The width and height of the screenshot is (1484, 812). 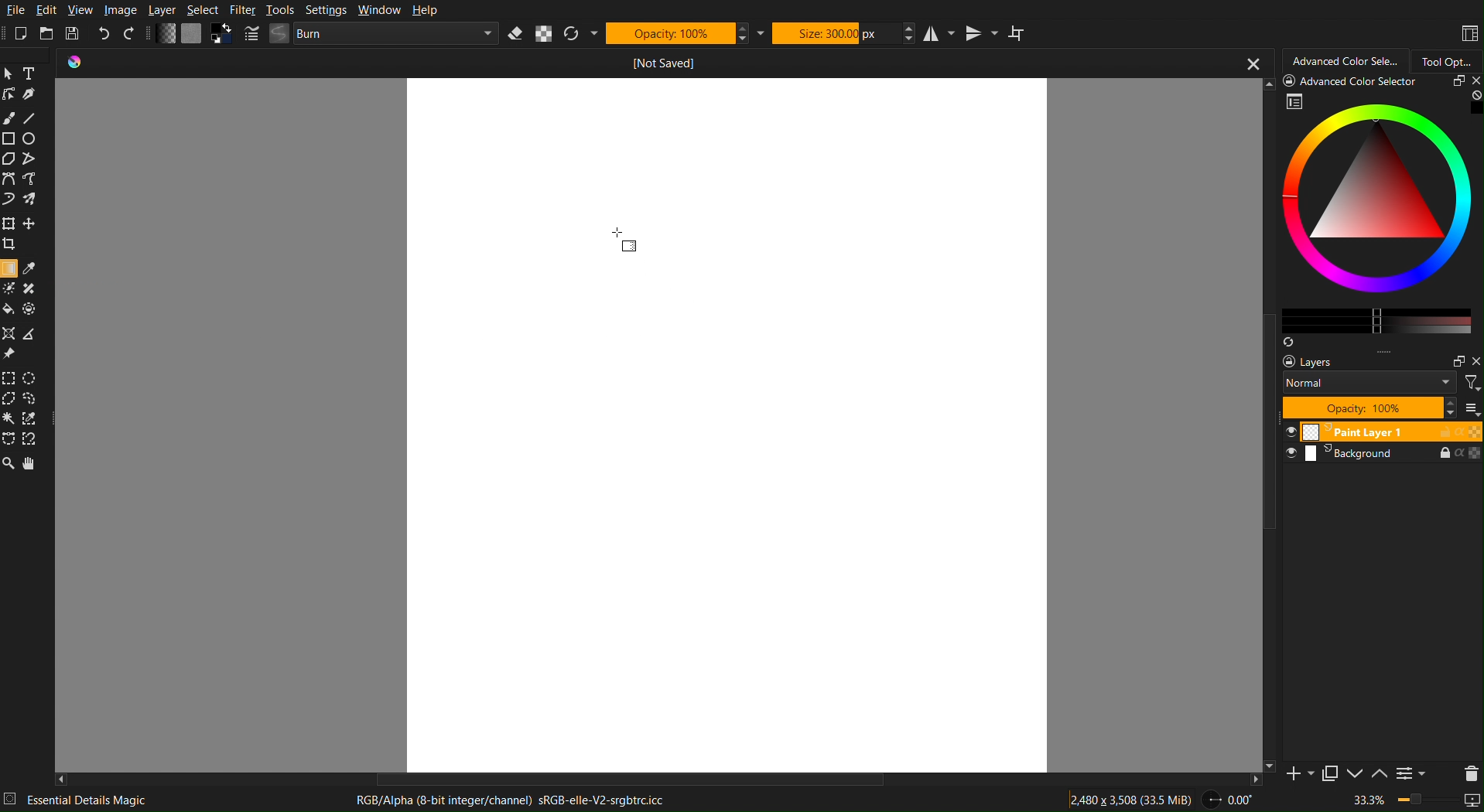 What do you see at coordinates (1339, 61) in the screenshot?
I see `Advanced Color Selector` at bounding box center [1339, 61].